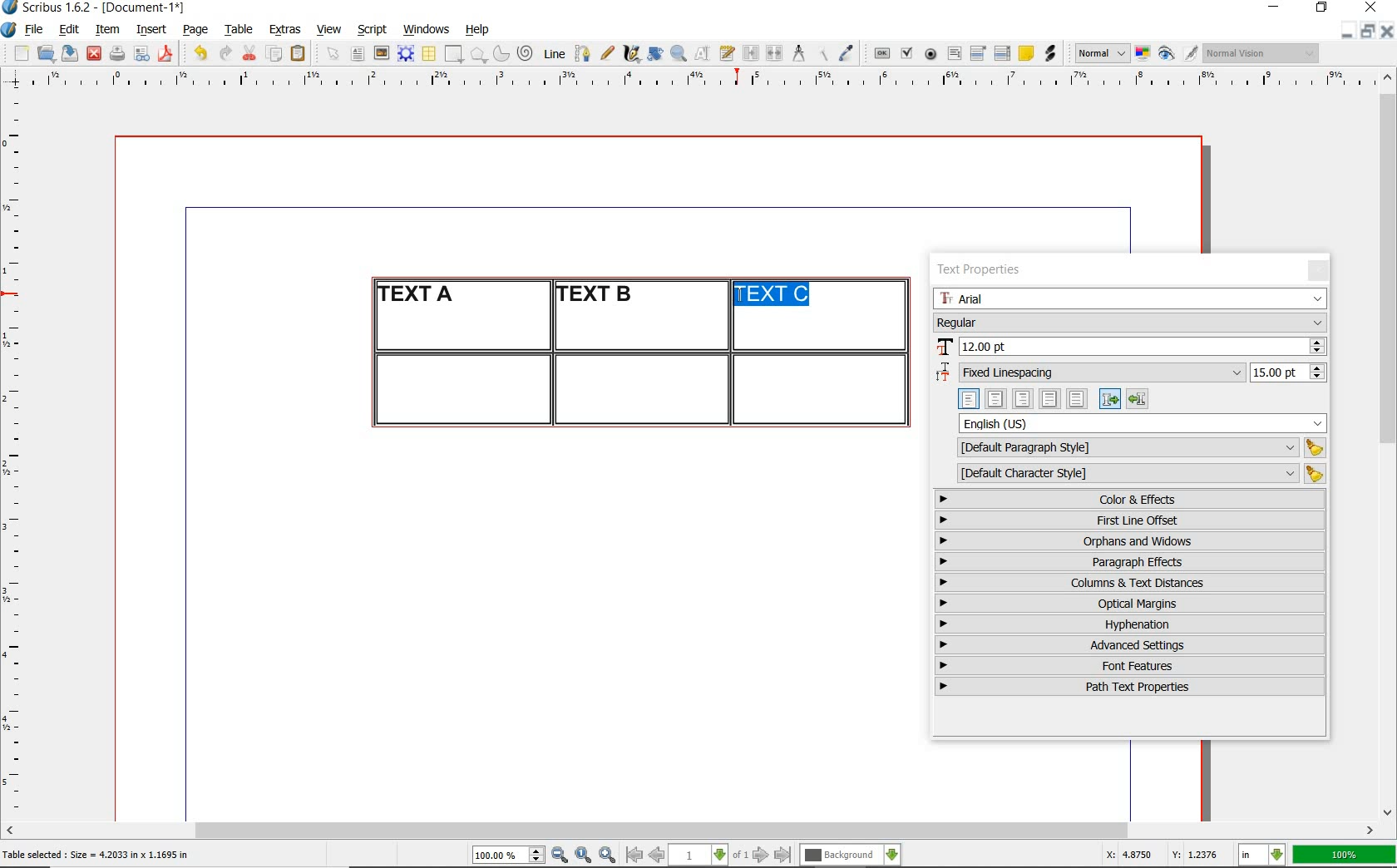 This screenshot has width=1397, height=868. Describe the element at coordinates (906, 54) in the screenshot. I see `pdf check box` at that location.